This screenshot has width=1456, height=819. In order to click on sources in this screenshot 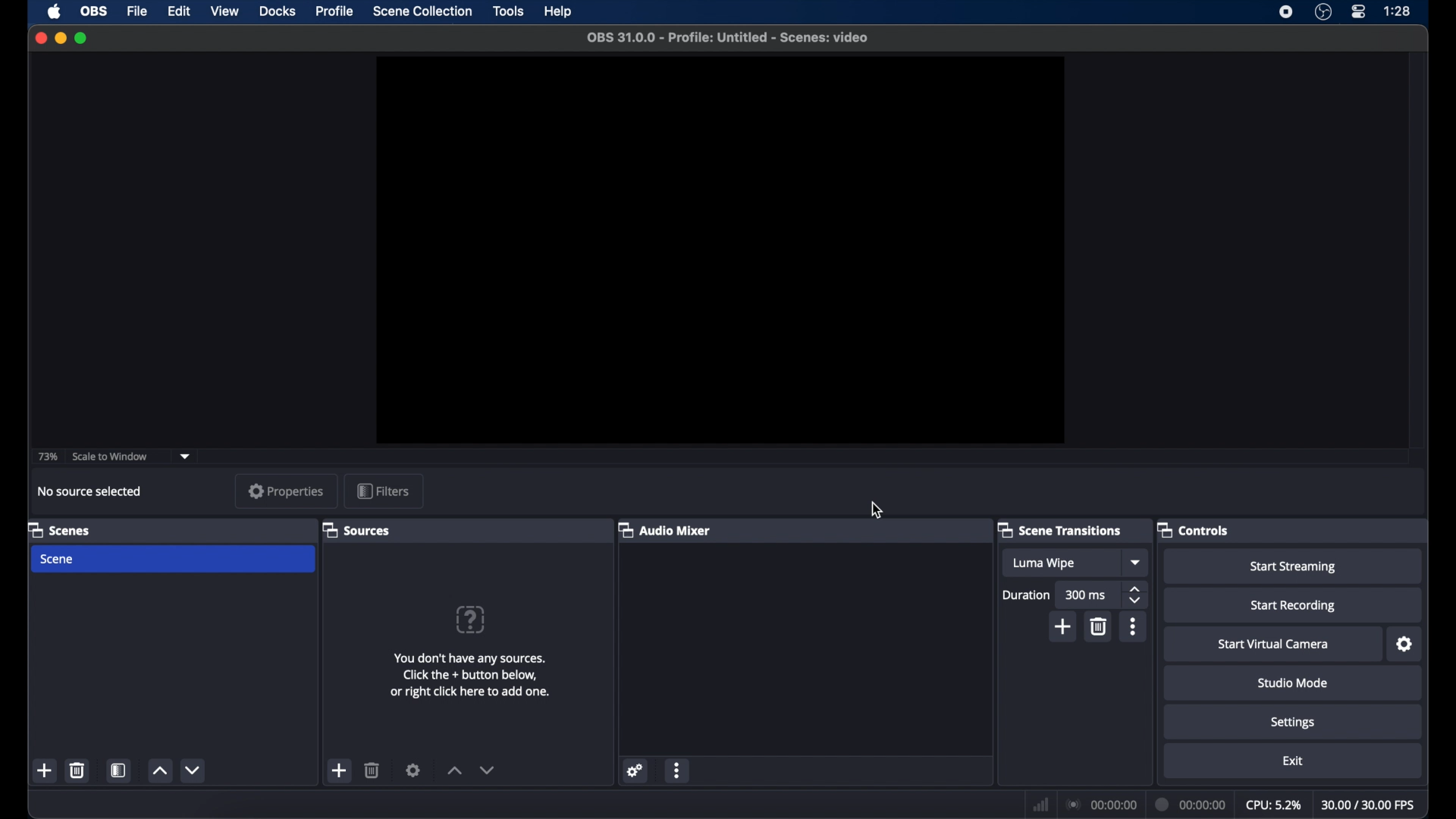, I will do `click(359, 531)`.